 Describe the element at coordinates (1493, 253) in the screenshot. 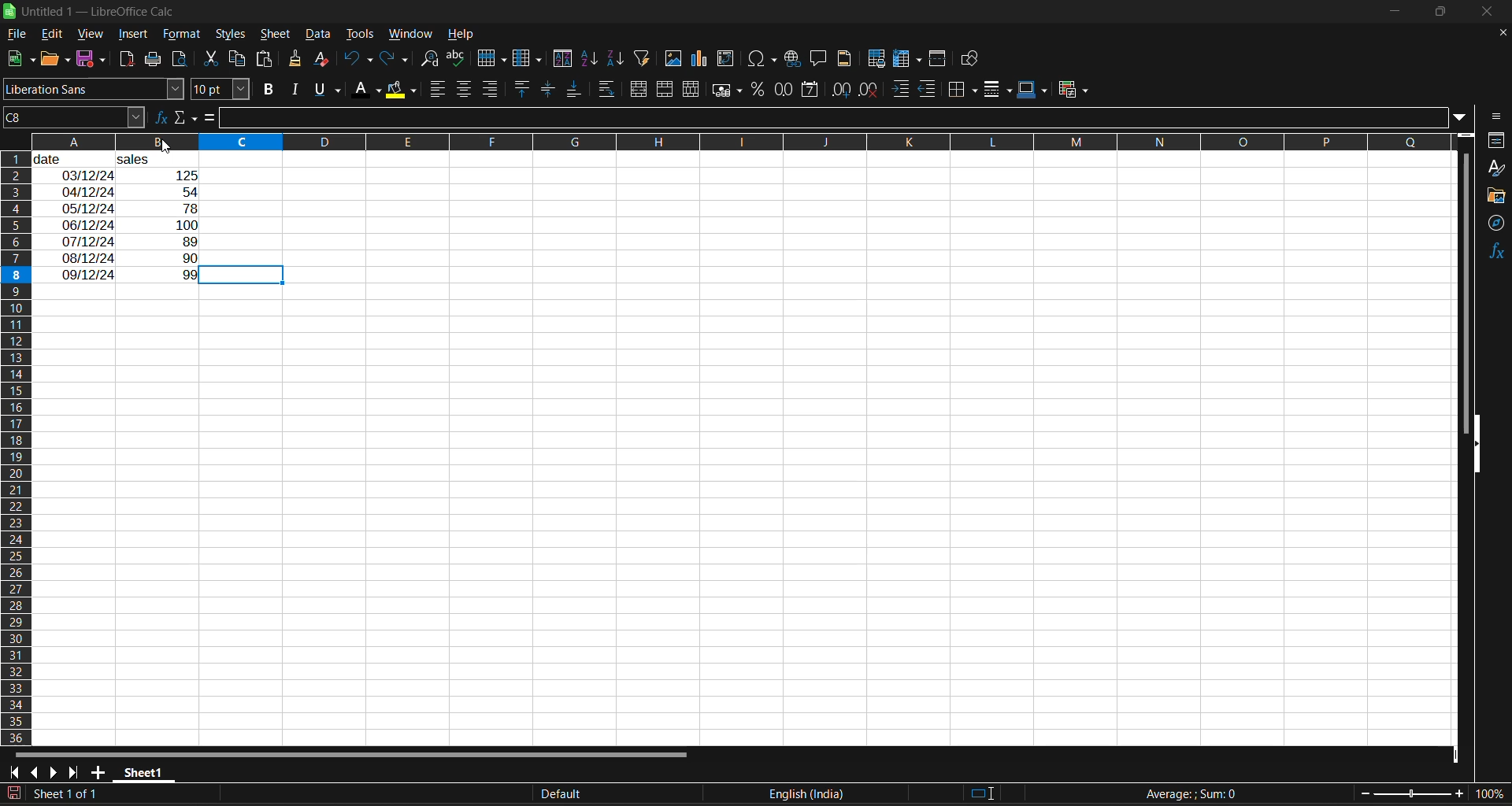

I see `functions` at that location.